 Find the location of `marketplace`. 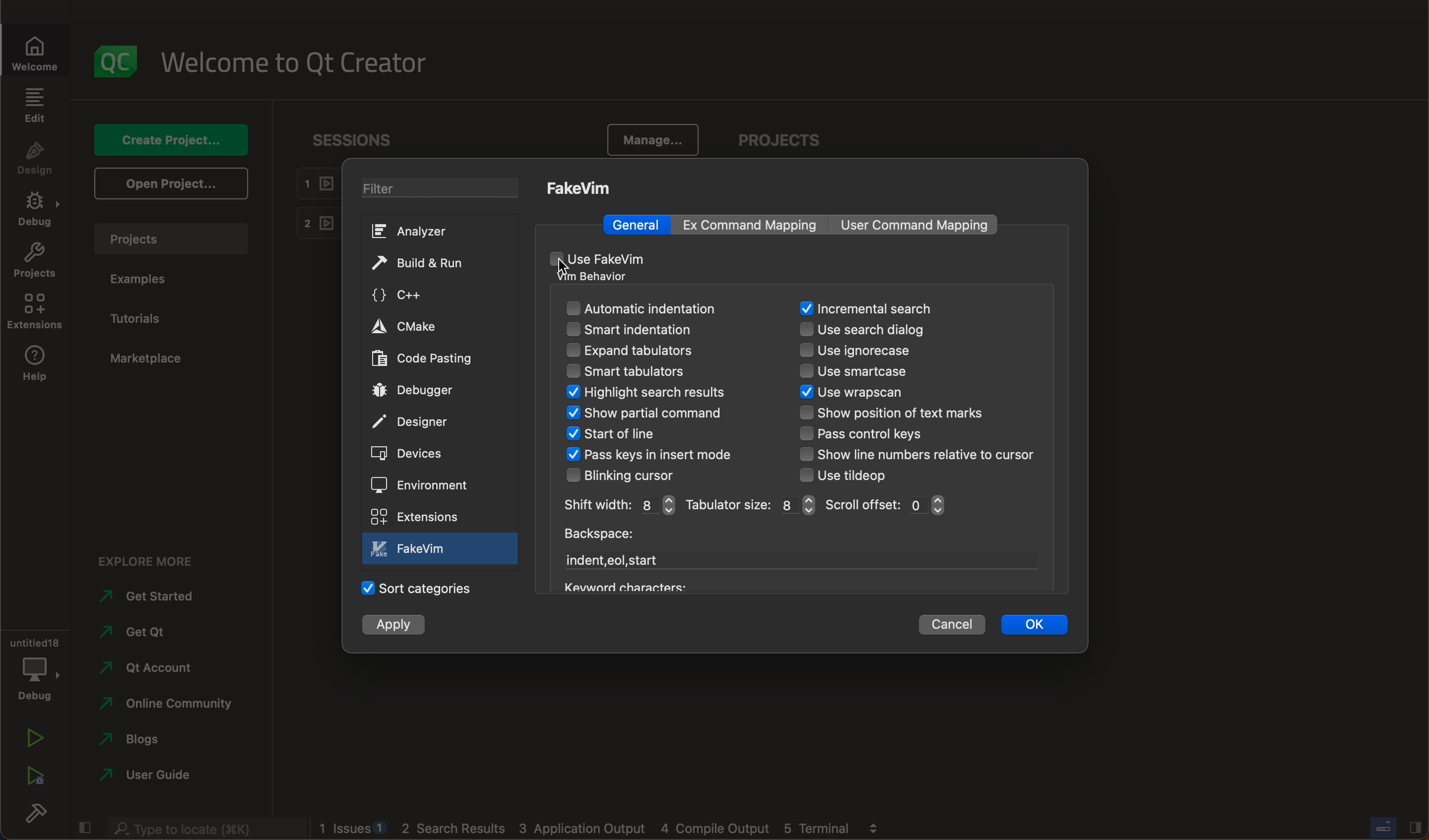

marketplace is located at coordinates (150, 358).